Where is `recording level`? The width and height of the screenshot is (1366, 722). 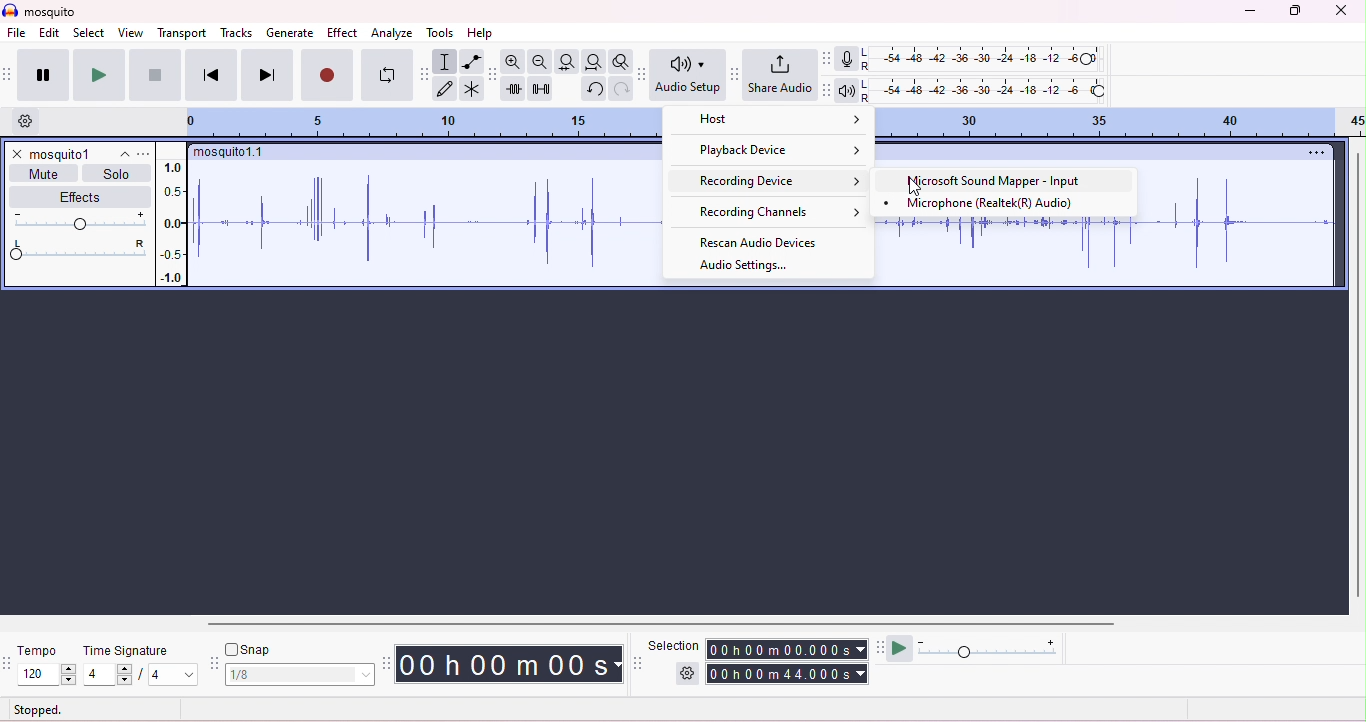
recording level is located at coordinates (986, 59).